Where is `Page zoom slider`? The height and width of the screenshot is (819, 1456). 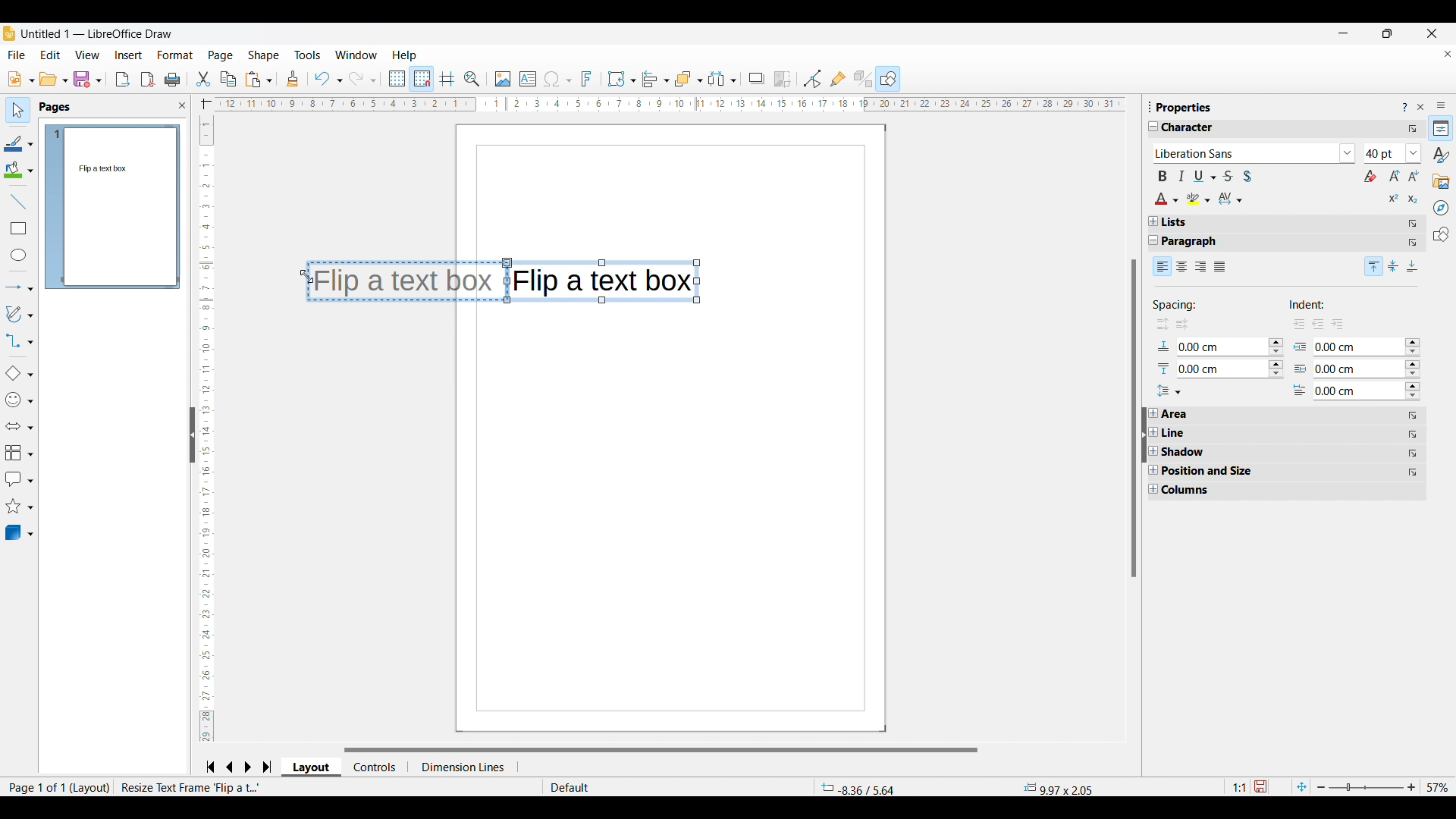 Page zoom slider is located at coordinates (1367, 787).